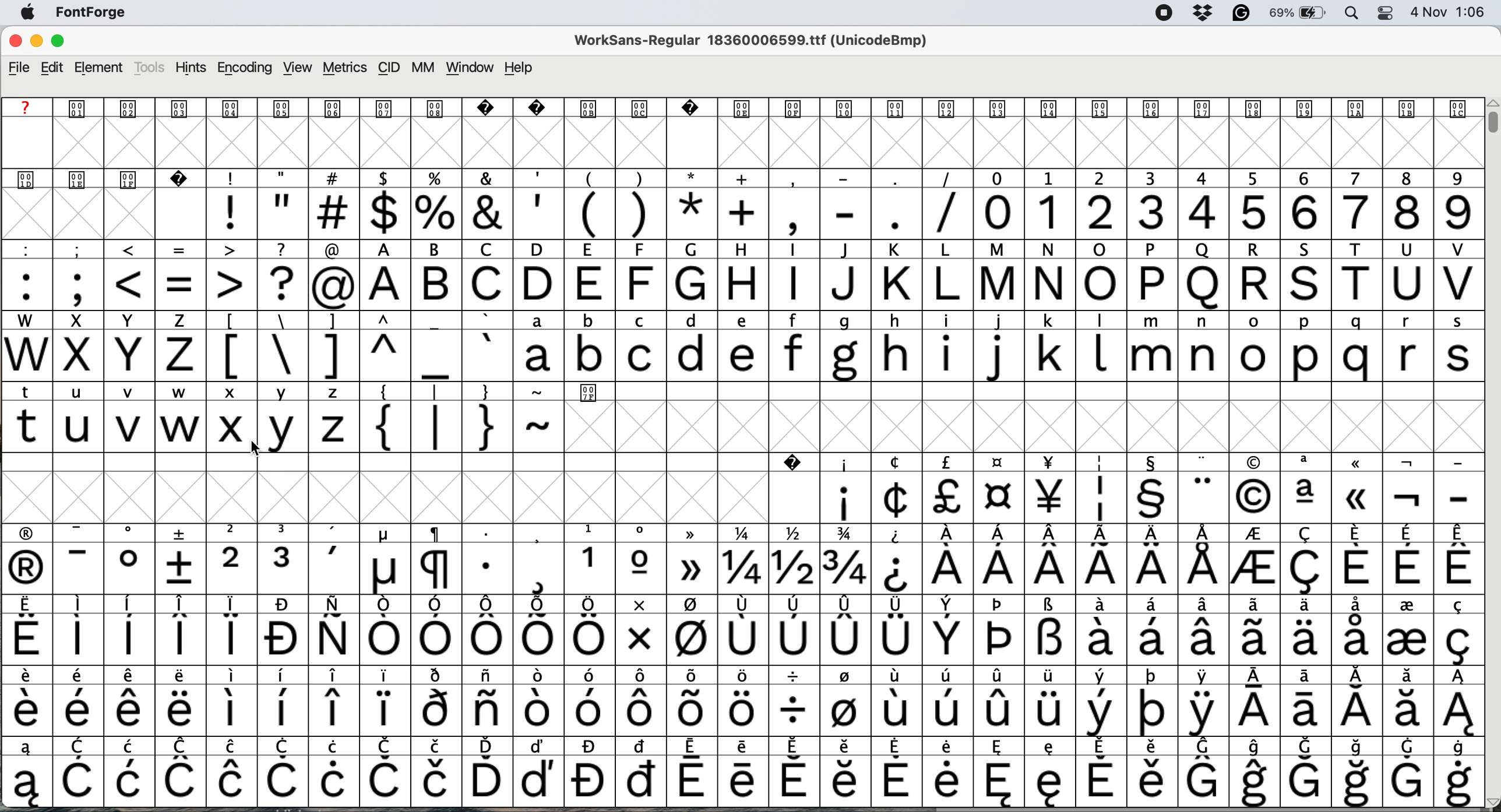 The width and height of the screenshot is (1501, 812). Describe the element at coordinates (739, 781) in the screenshot. I see `special characters` at that location.